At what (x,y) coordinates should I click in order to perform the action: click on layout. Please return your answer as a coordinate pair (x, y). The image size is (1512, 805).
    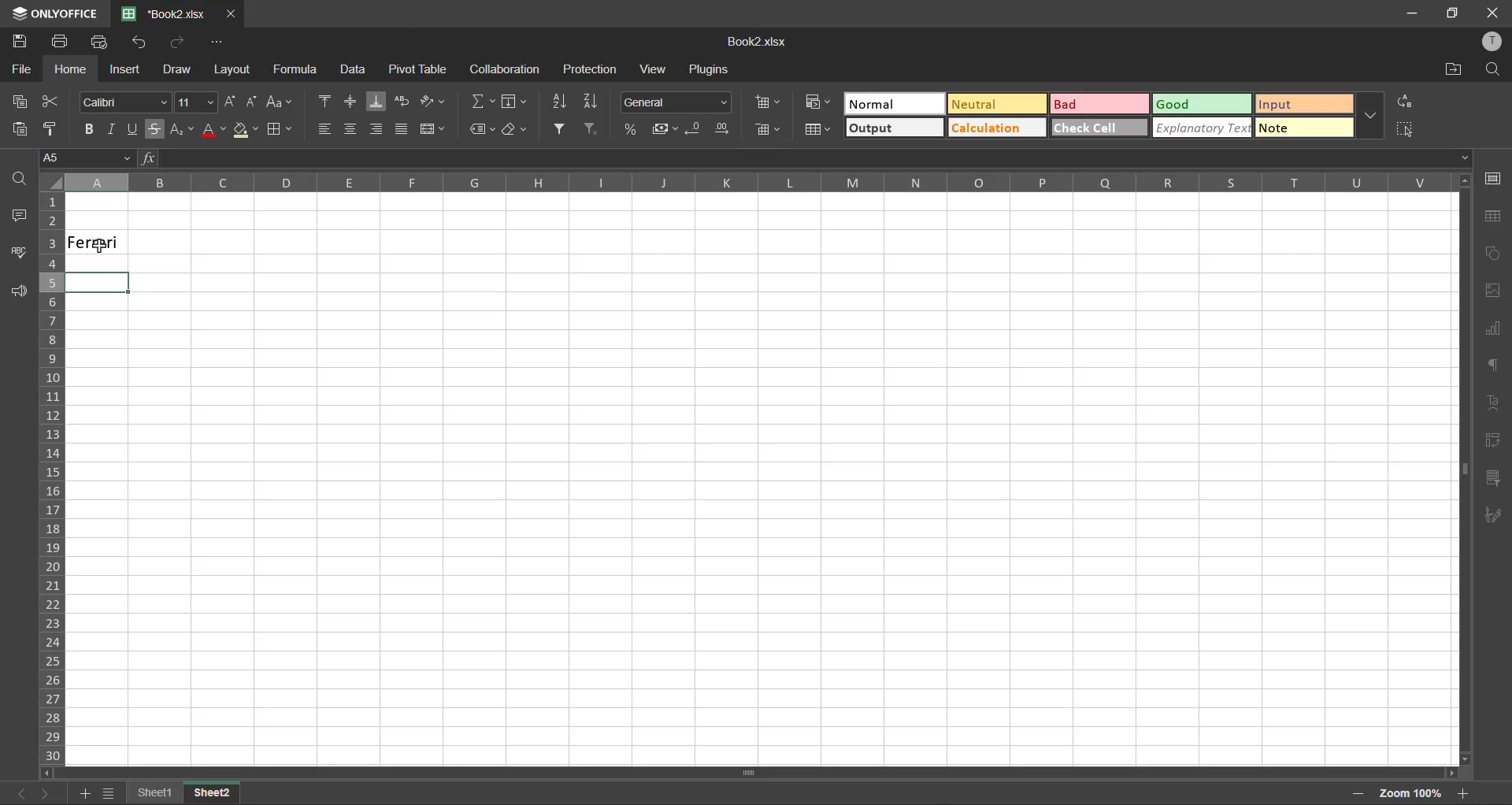
    Looking at the image, I should click on (232, 69).